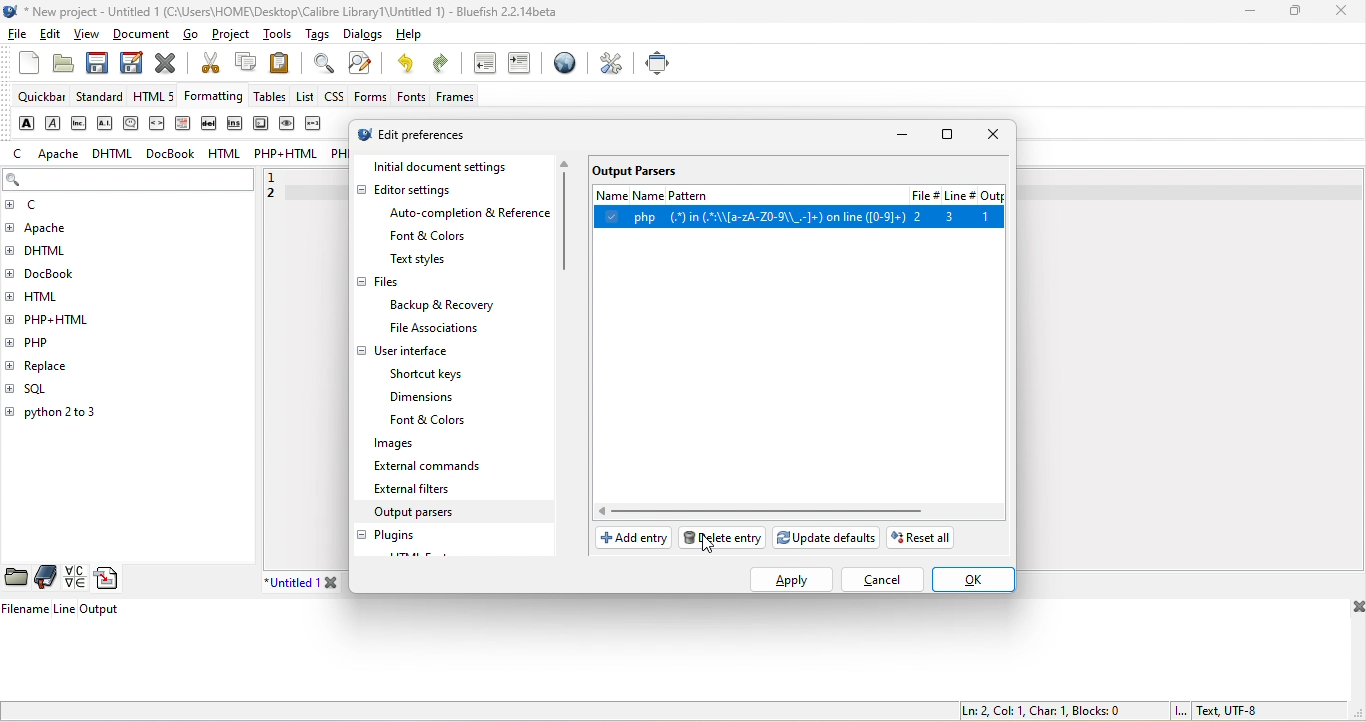 The height and width of the screenshot is (722, 1366). Describe the element at coordinates (222, 153) in the screenshot. I see `html` at that location.